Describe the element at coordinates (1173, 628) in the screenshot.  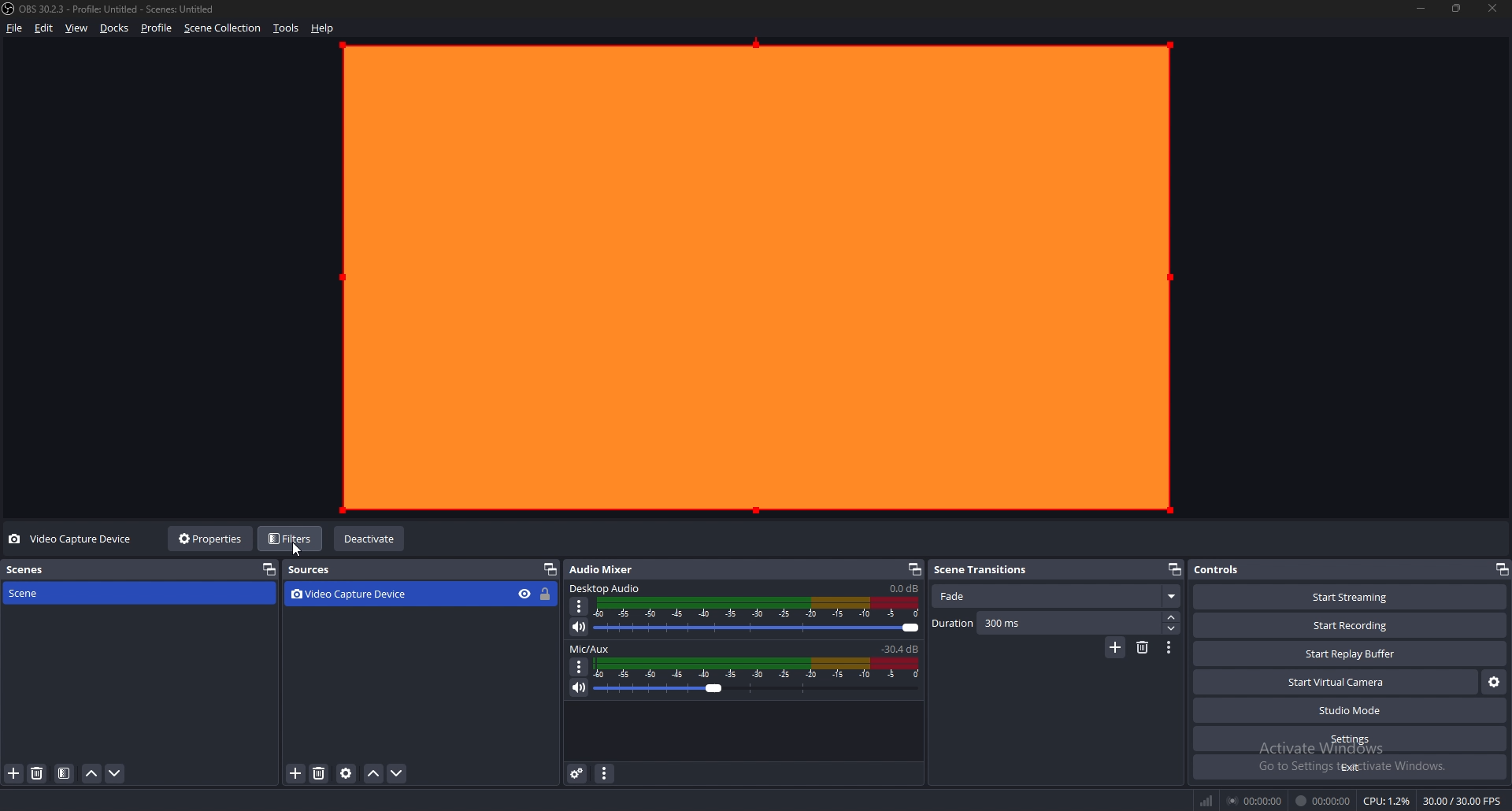
I see `decrease duration` at that location.